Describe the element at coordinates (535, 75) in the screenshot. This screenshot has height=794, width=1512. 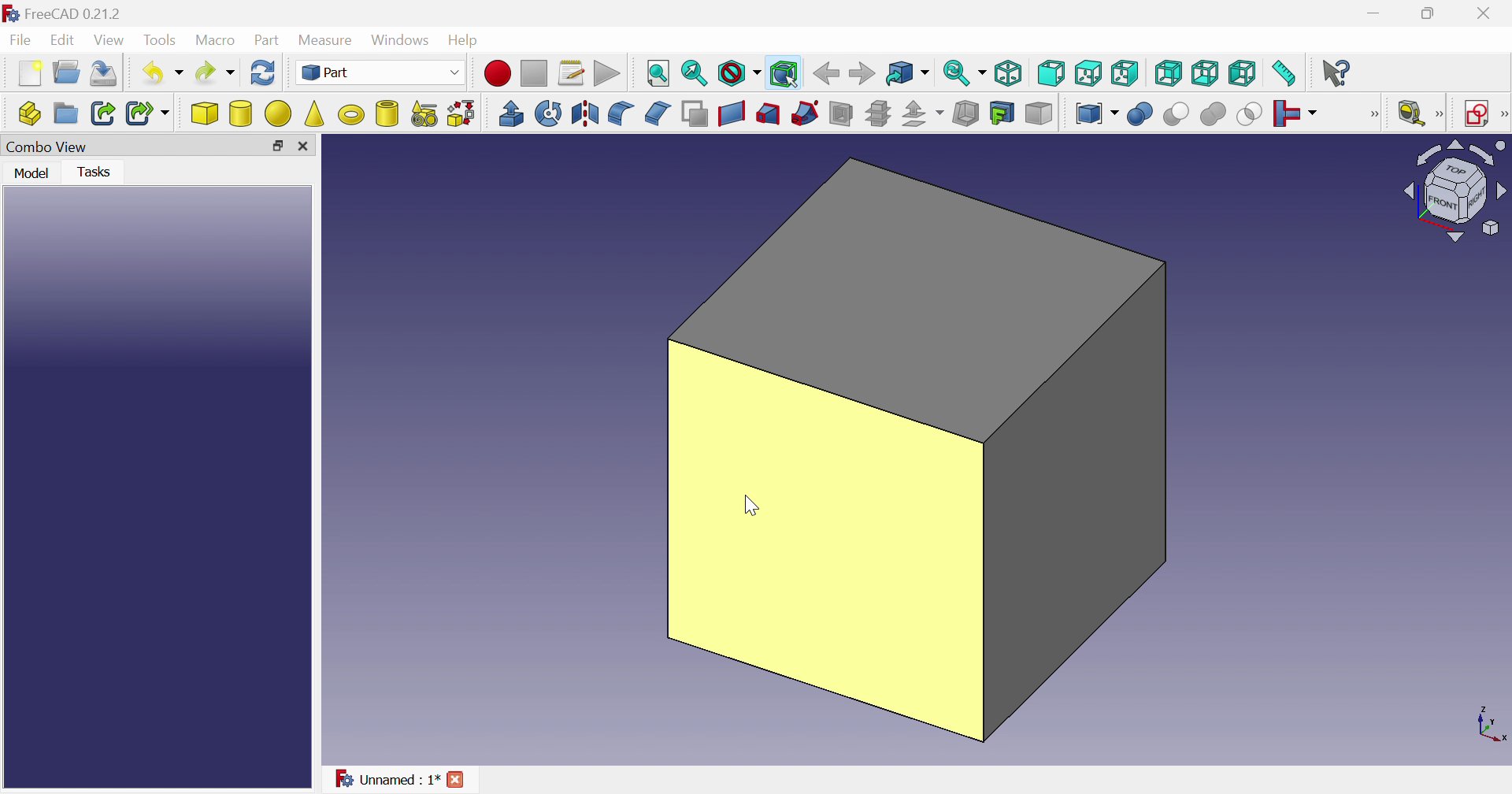
I see `Stop macro recording` at that location.